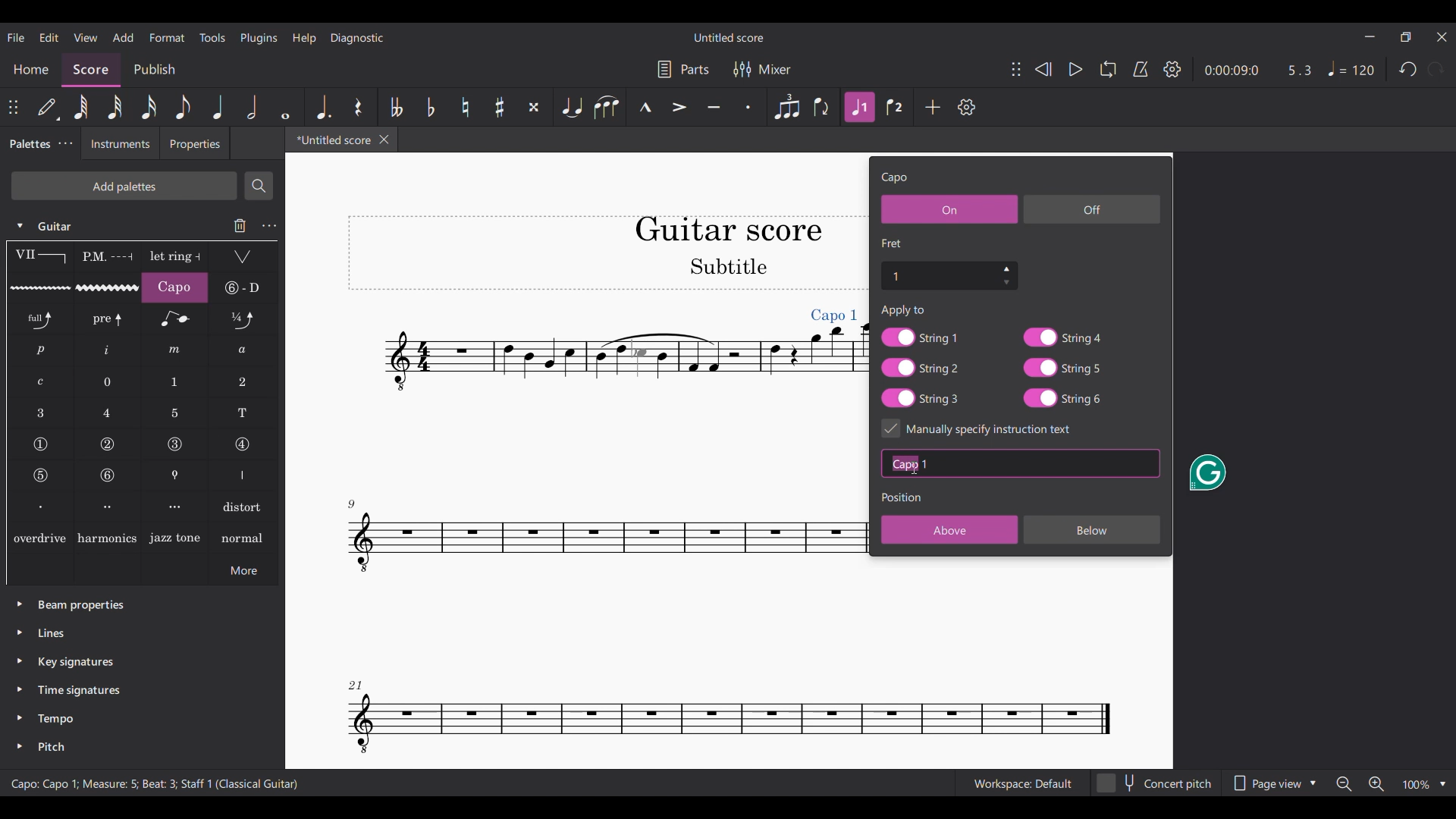 The height and width of the screenshot is (819, 1456). What do you see at coordinates (41, 350) in the screenshot?
I see `RH guitar fingering p` at bounding box center [41, 350].